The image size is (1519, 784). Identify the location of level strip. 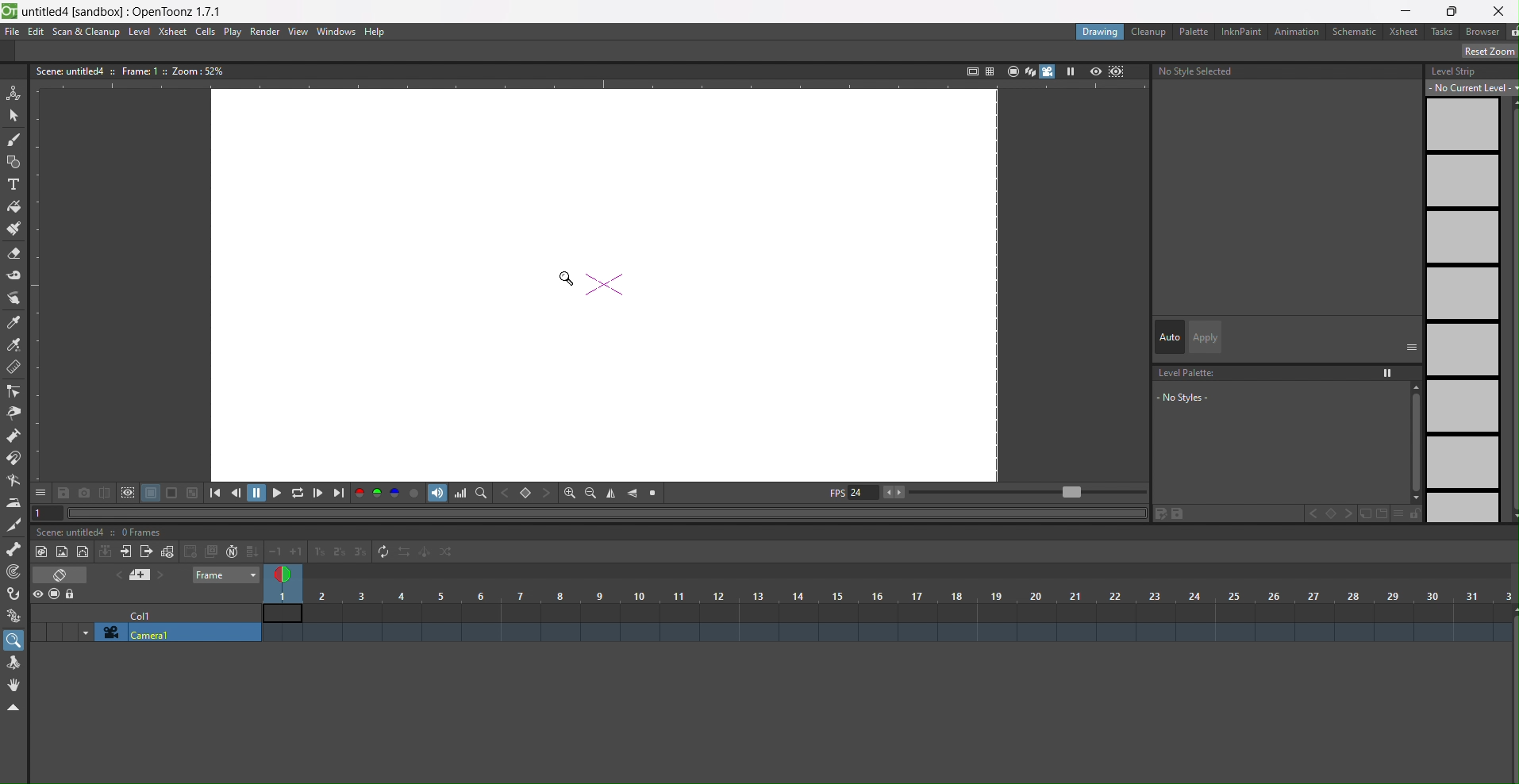
(1466, 294).